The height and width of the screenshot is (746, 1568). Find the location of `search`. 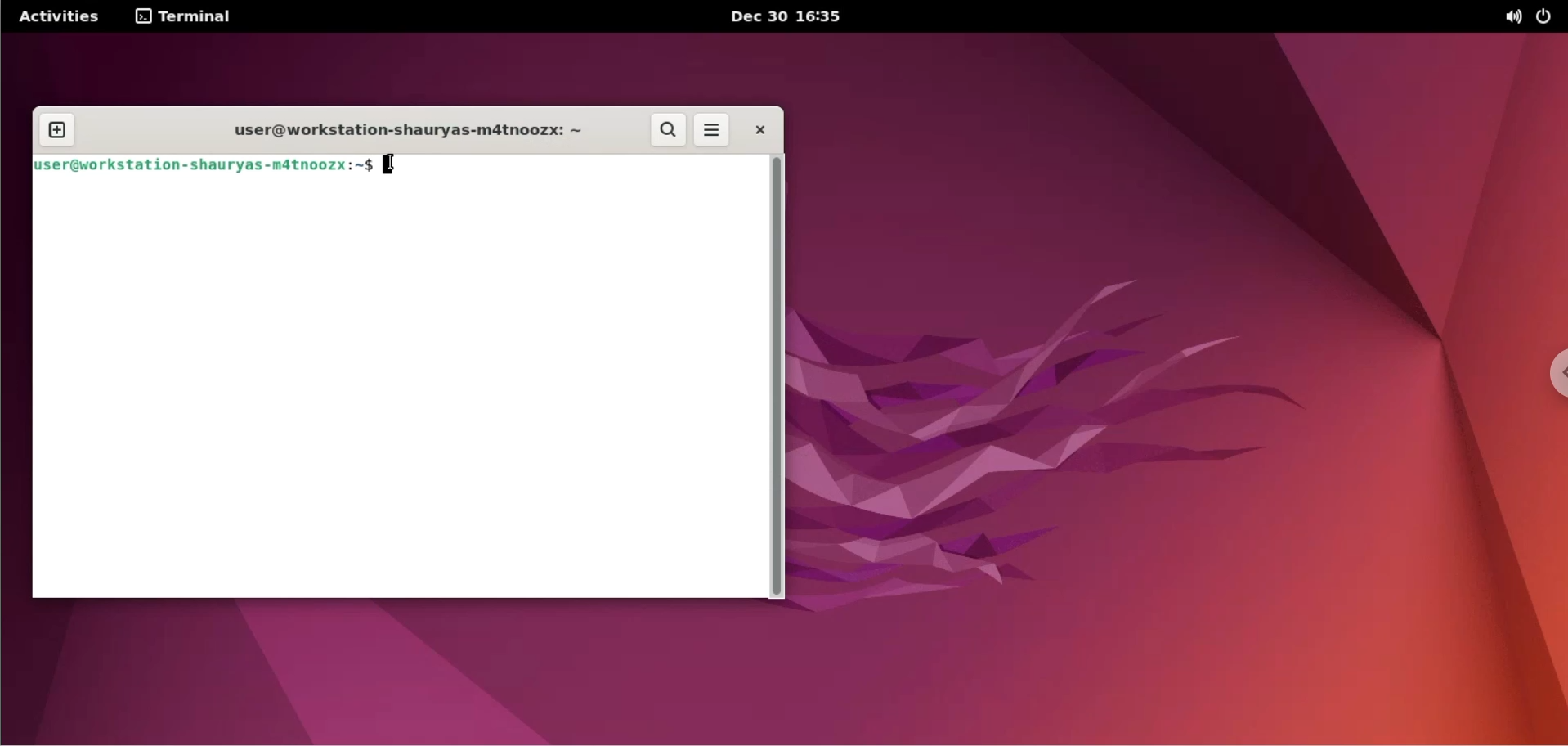

search is located at coordinates (668, 129).